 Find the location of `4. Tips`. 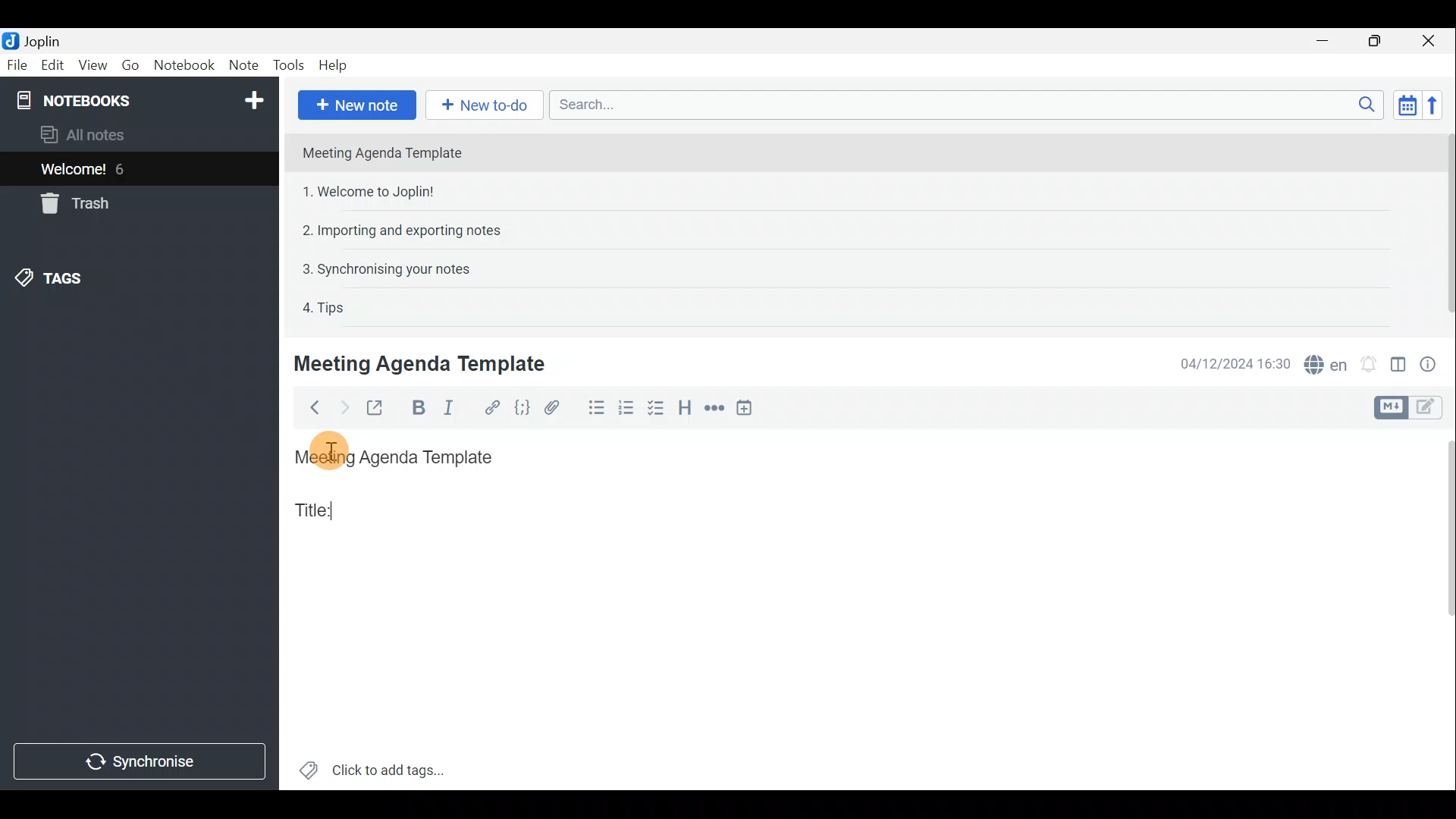

4. Tips is located at coordinates (325, 307).